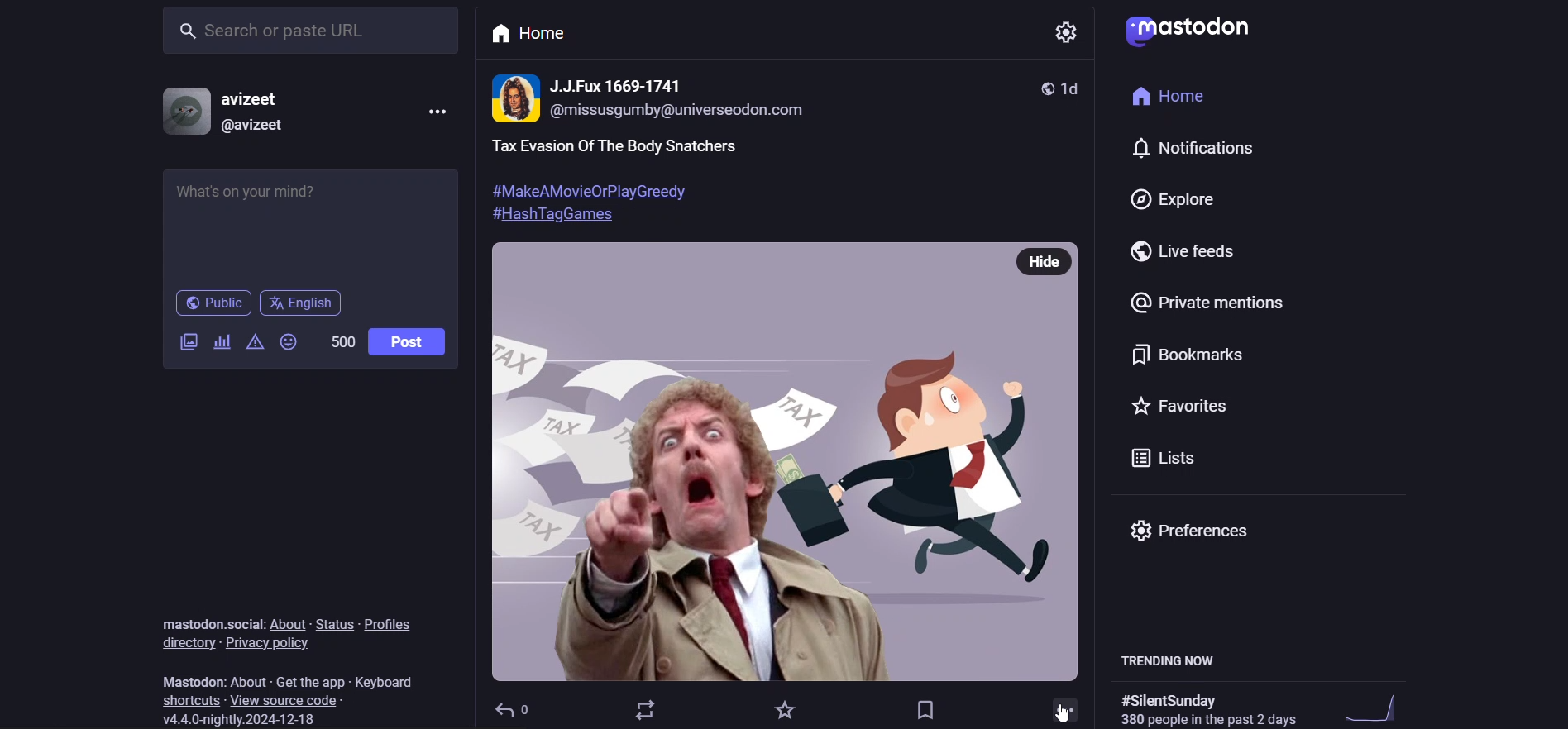 The width and height of the screenshot is (1568, 729). Describe the element at coordinates (388, 682) in the screenshot. I see `keyboard` at that location.